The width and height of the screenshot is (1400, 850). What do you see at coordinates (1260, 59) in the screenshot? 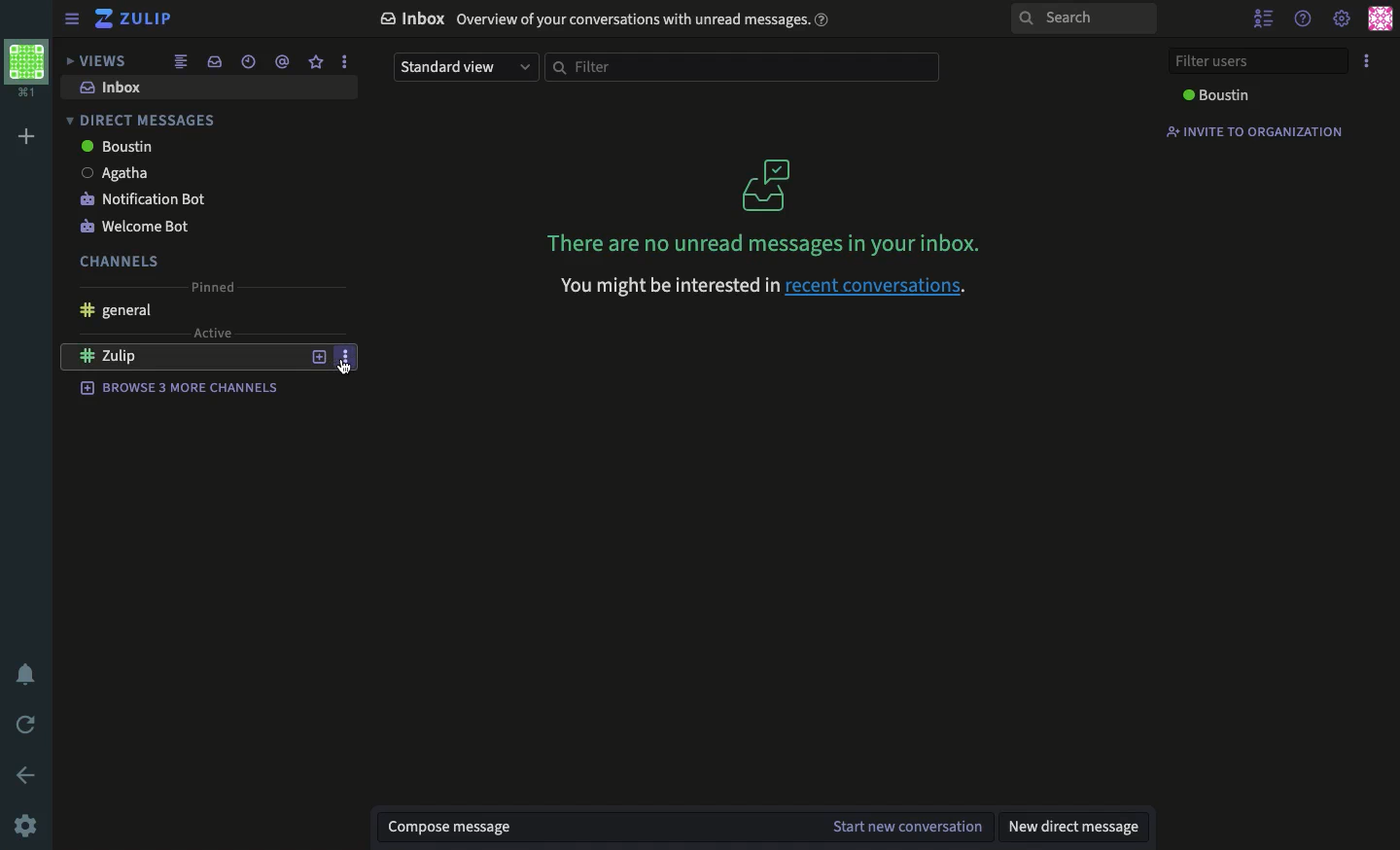
I see `filter users` at bounding box center [1260, 59].